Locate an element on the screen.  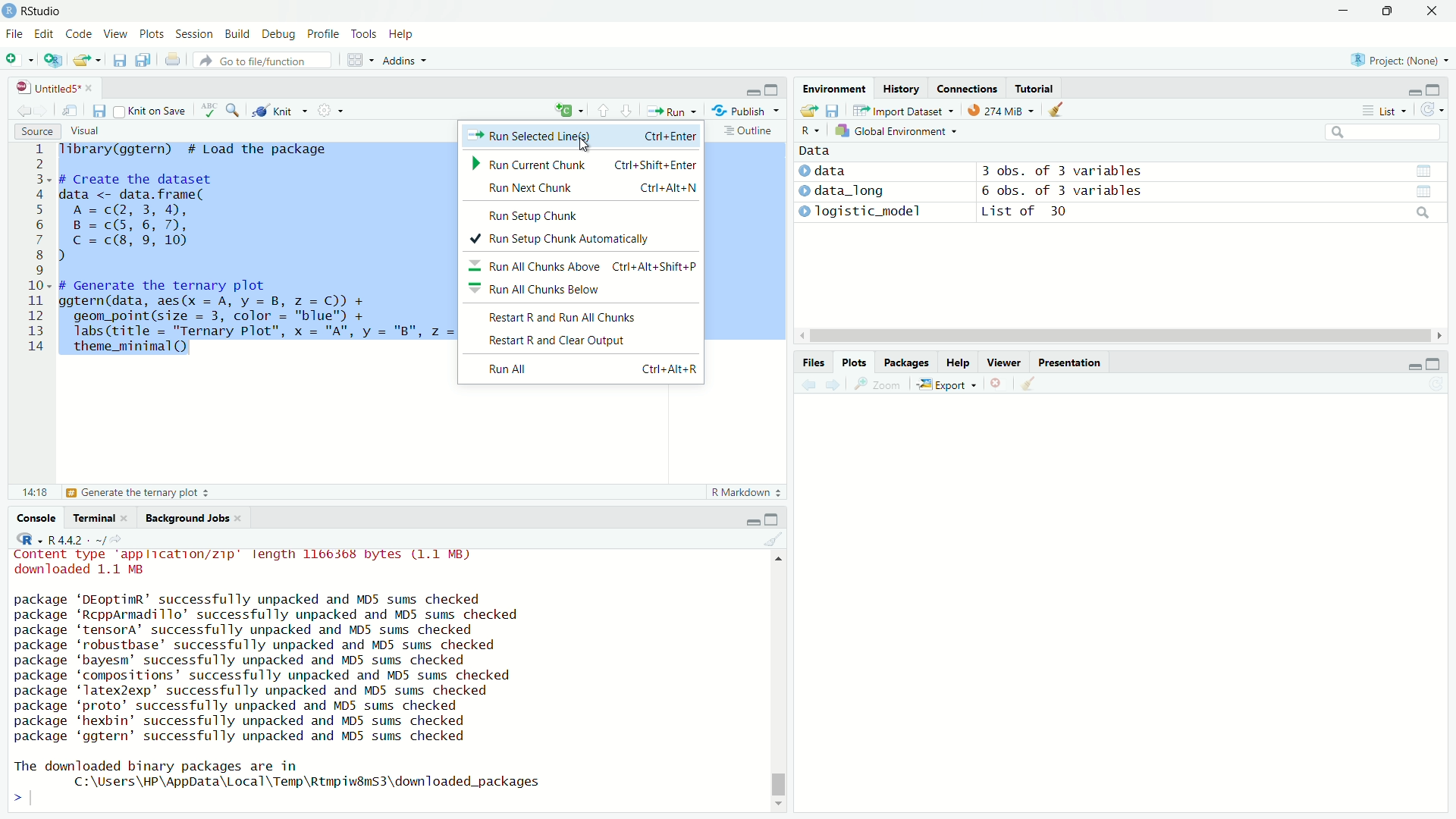
Debug is located at coordinates (275, 35).